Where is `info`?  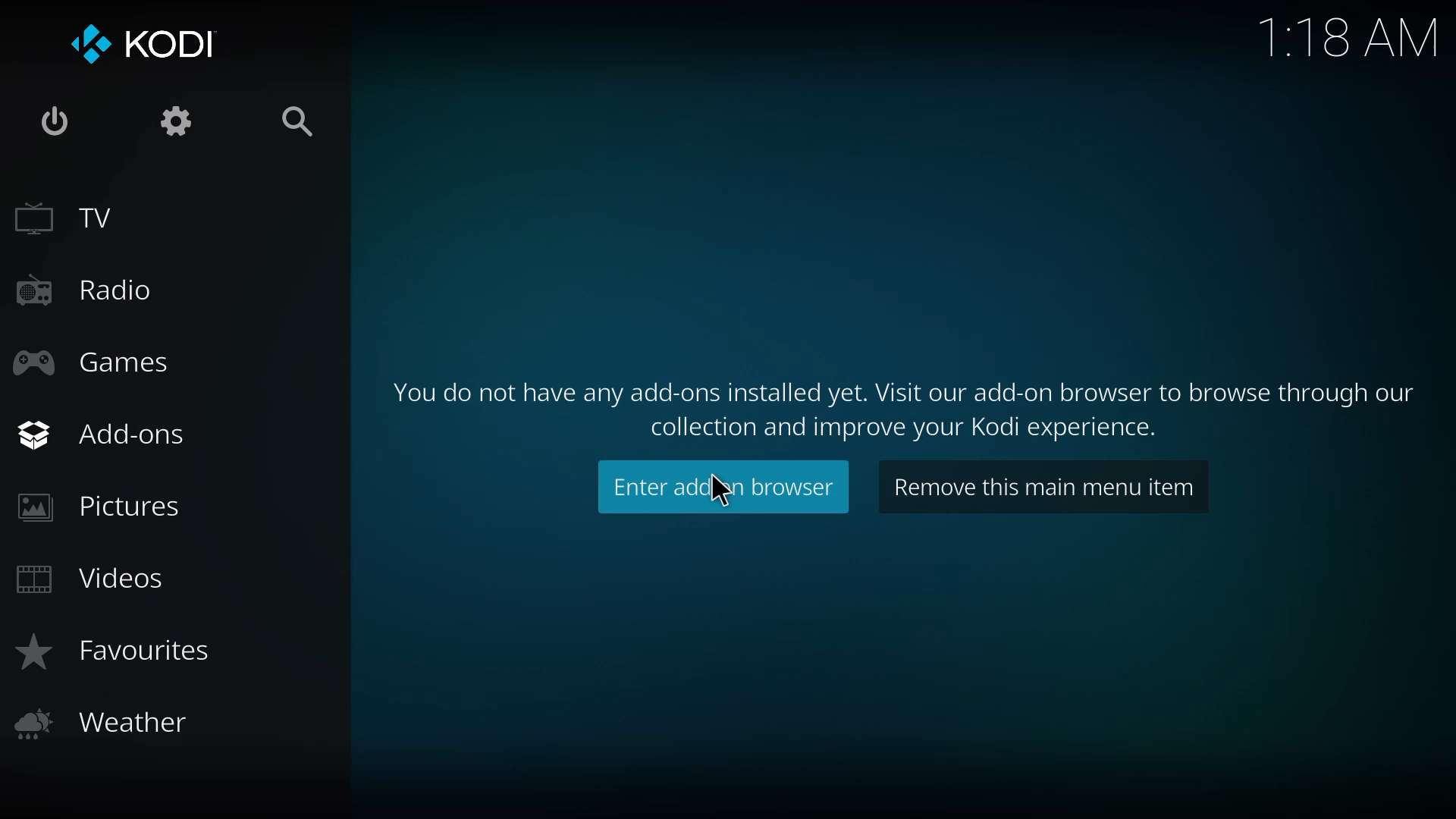 info is located at coordinates (904, 403).